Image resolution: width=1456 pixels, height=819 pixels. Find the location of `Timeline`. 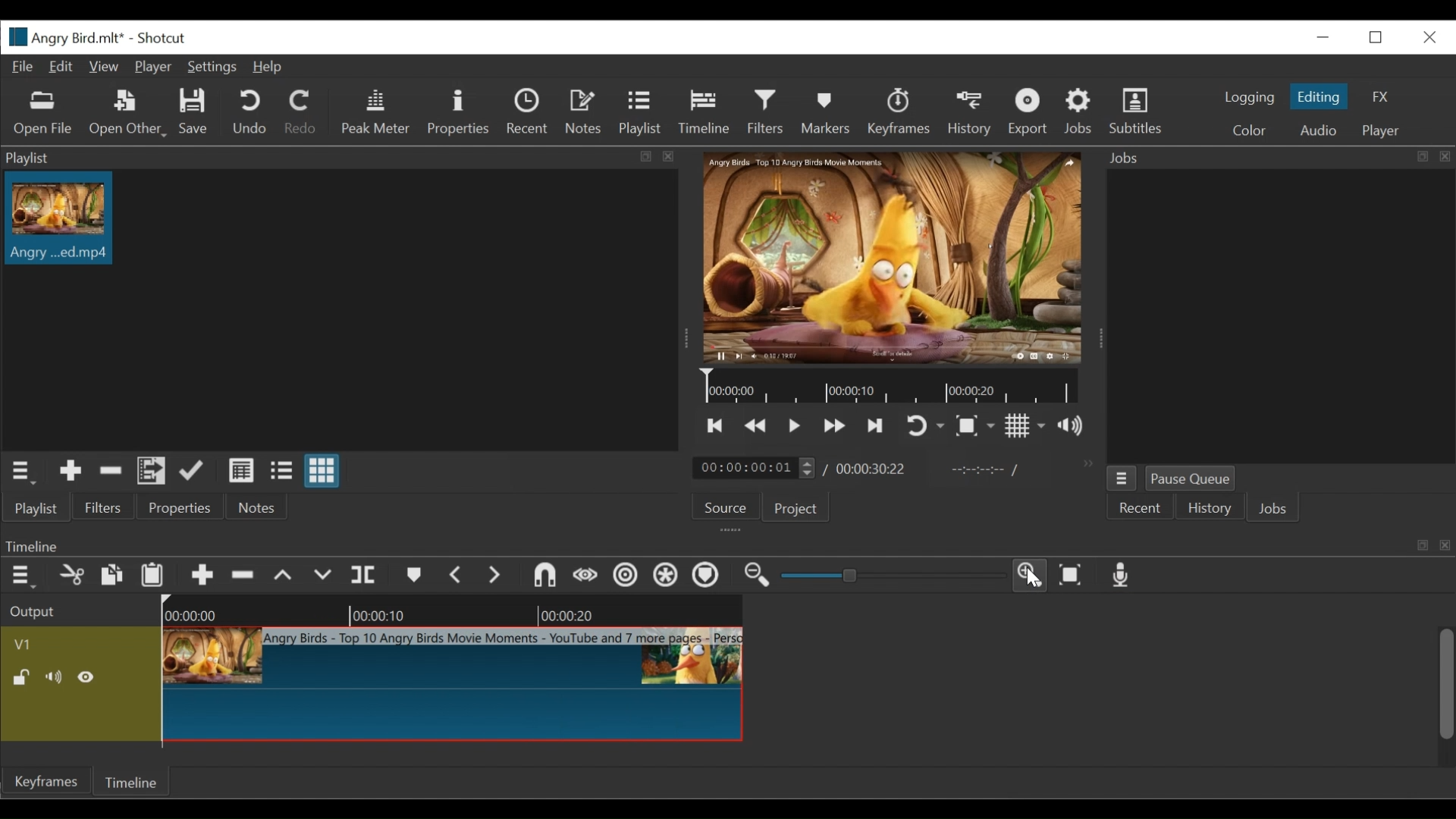

Timeline is located at coordinates (133, 780).